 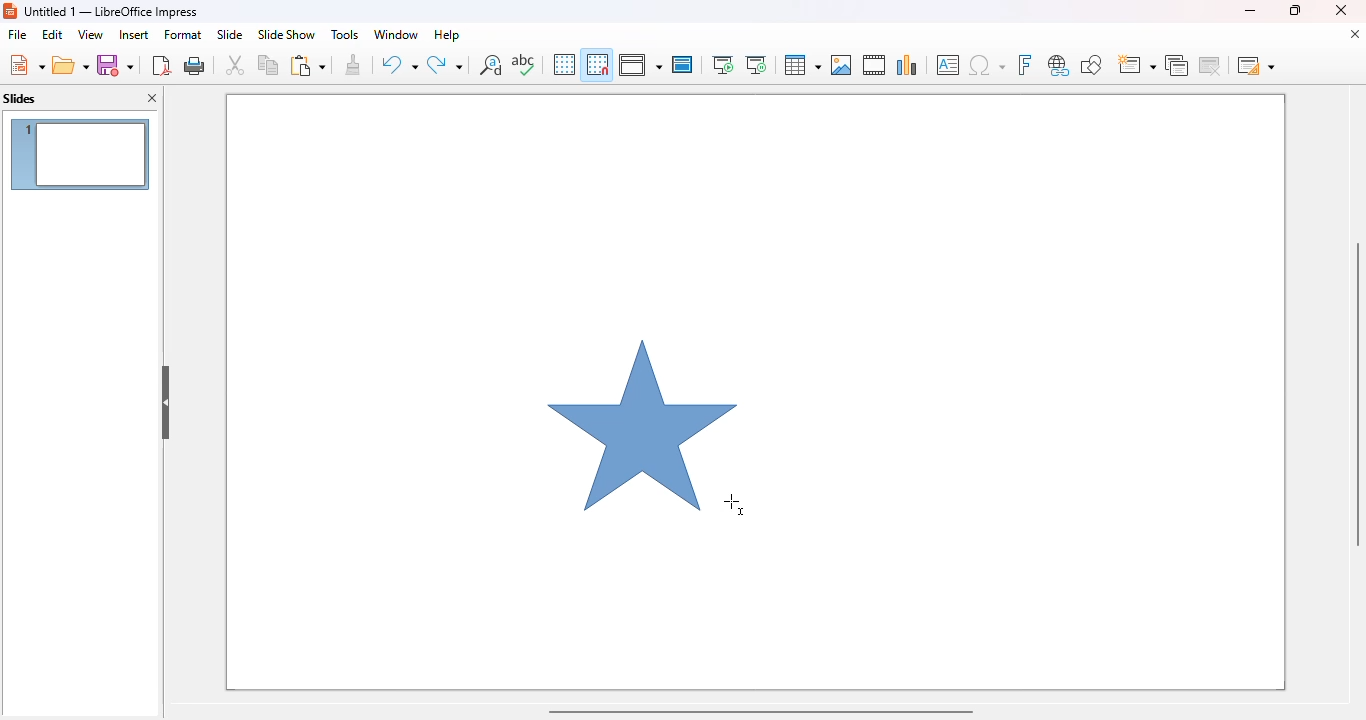 What do you see at coordinates (115, 65) in the screenshot?
I see `save` at bounding box center [115, 65].